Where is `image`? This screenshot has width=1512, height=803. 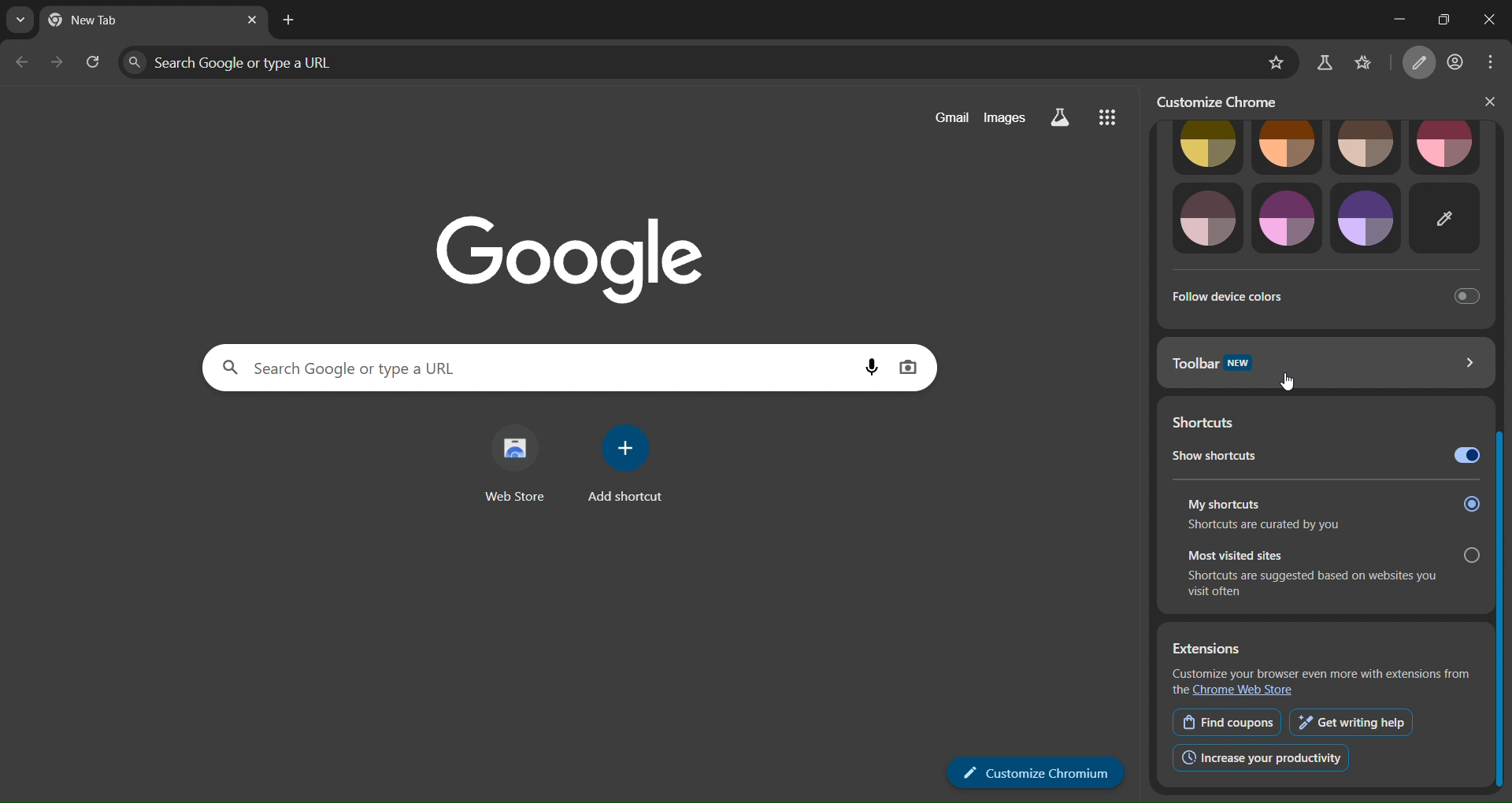 image is located at coordinates (1203, 218).